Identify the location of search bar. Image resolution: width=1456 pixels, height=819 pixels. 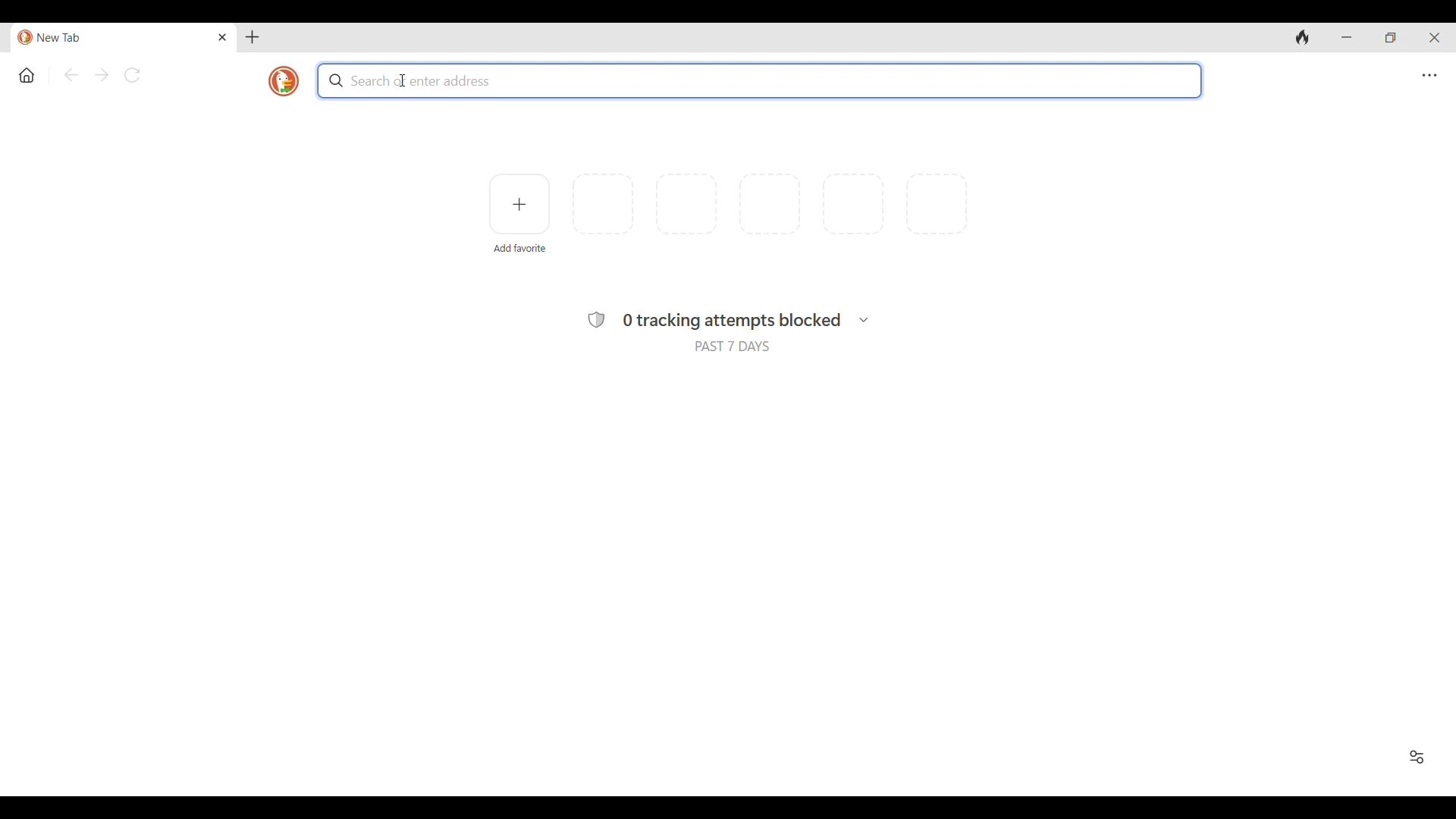
(760, 78).